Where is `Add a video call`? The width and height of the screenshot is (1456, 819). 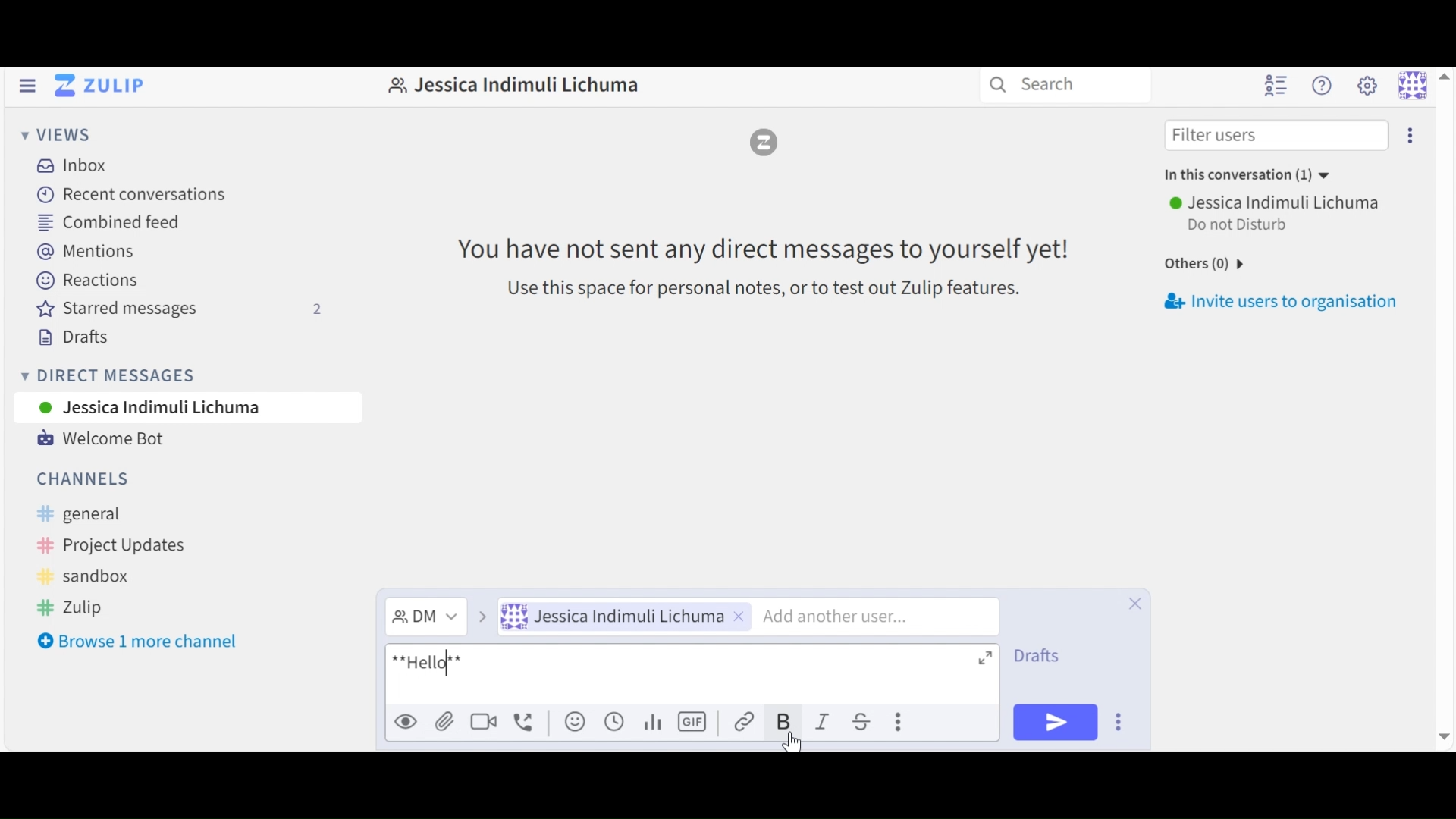 Add a video call is located at coordinates (483, 720).